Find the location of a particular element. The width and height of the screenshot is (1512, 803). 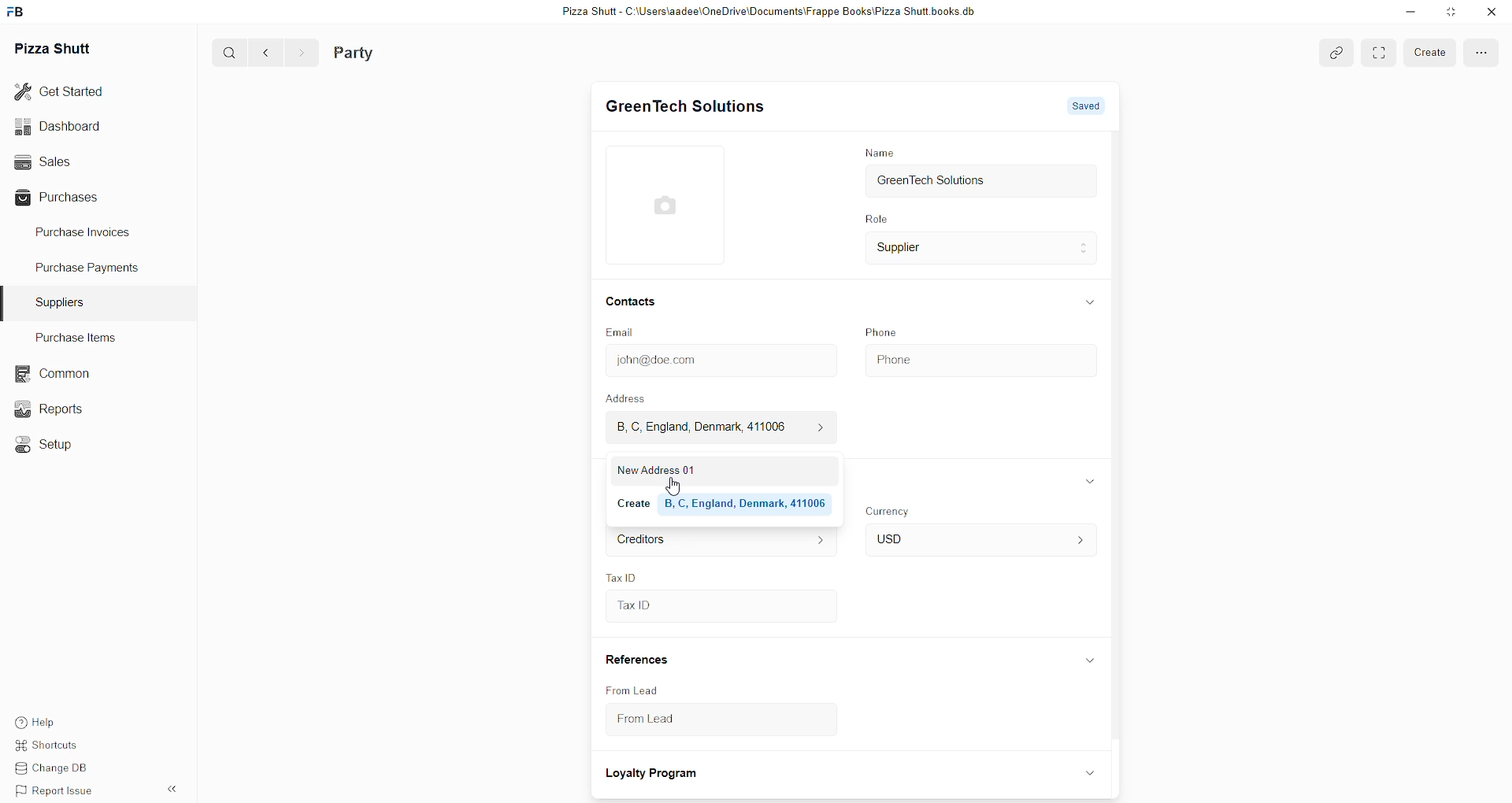

From Lead is located at coordinates (705, 723).